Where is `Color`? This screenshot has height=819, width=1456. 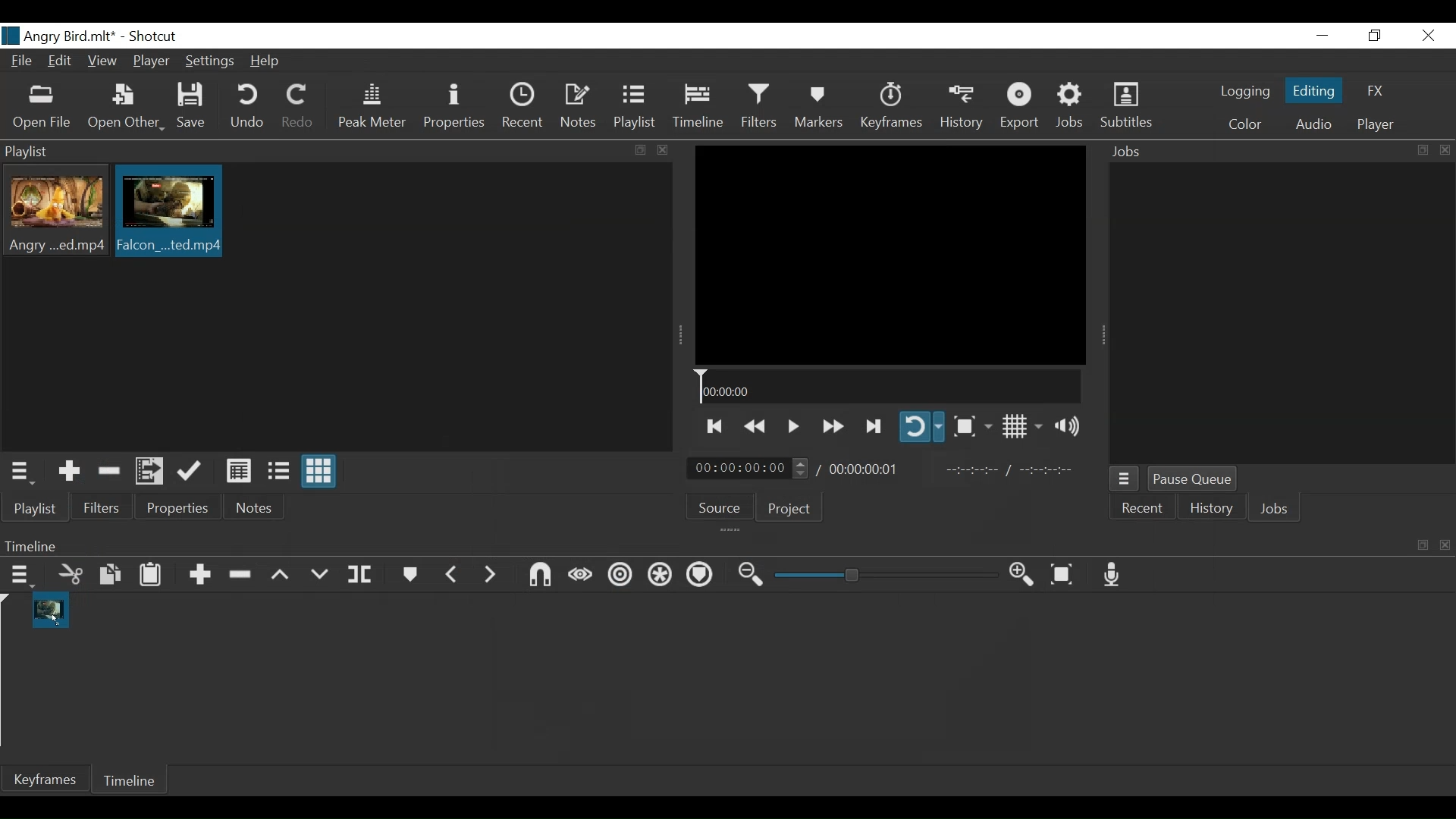 Color is located at coordinates (1241, 124).